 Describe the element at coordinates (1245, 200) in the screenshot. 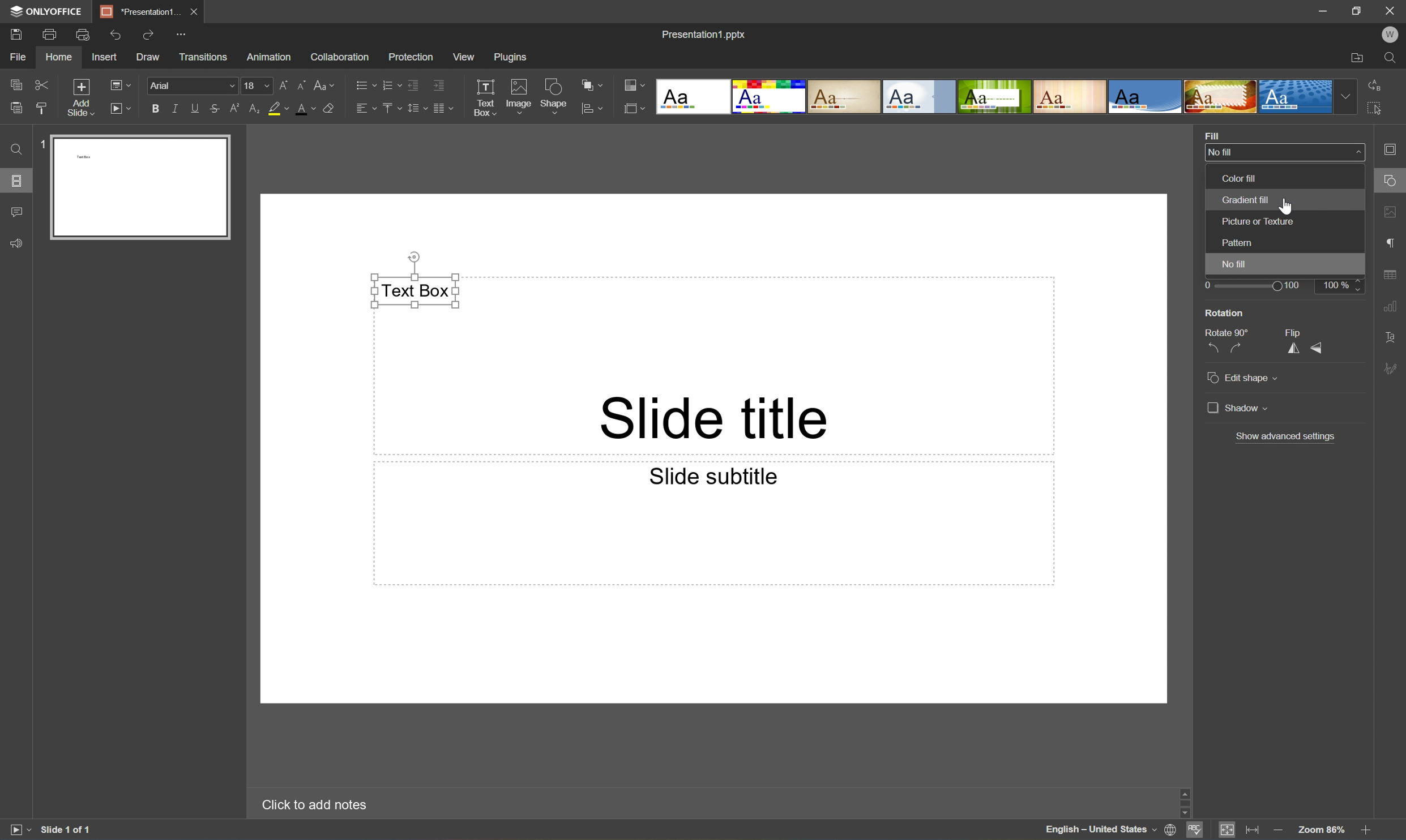

I see `Gradient fill` at that location.